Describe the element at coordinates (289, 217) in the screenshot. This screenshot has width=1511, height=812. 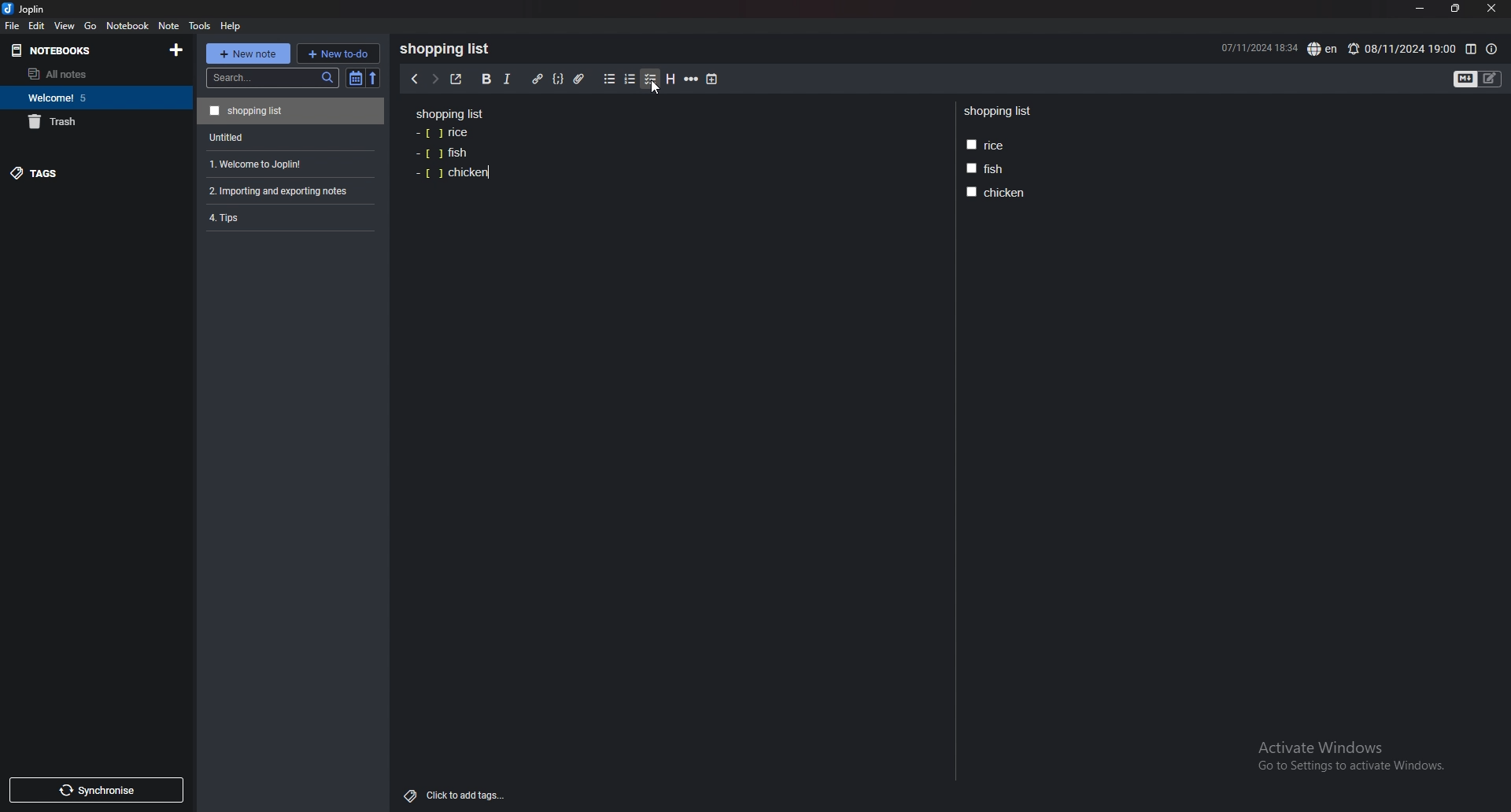
I see `4.Tips.` at that location.